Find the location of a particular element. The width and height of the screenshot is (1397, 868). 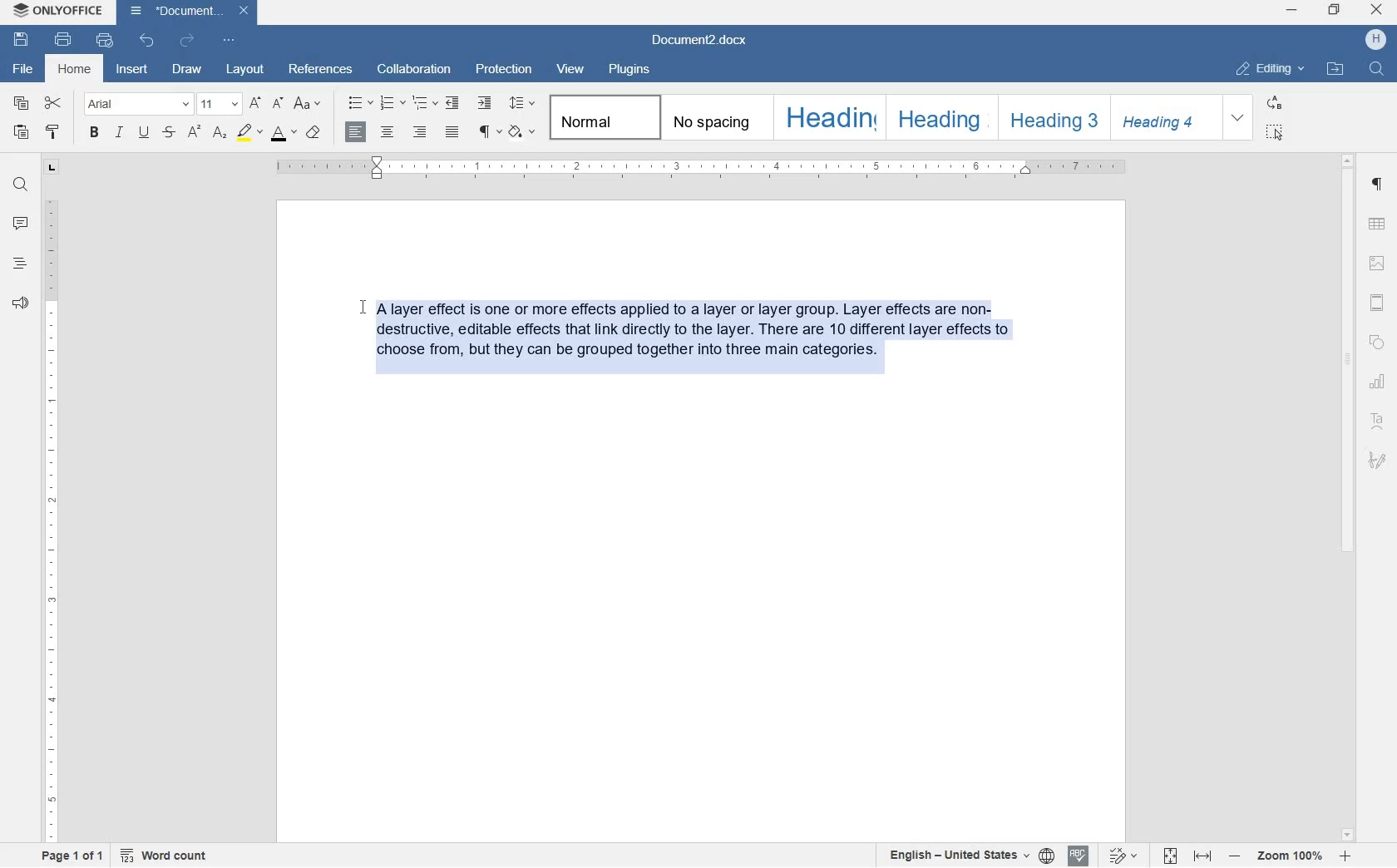

feedback & support is located at coordinates (19, 303).